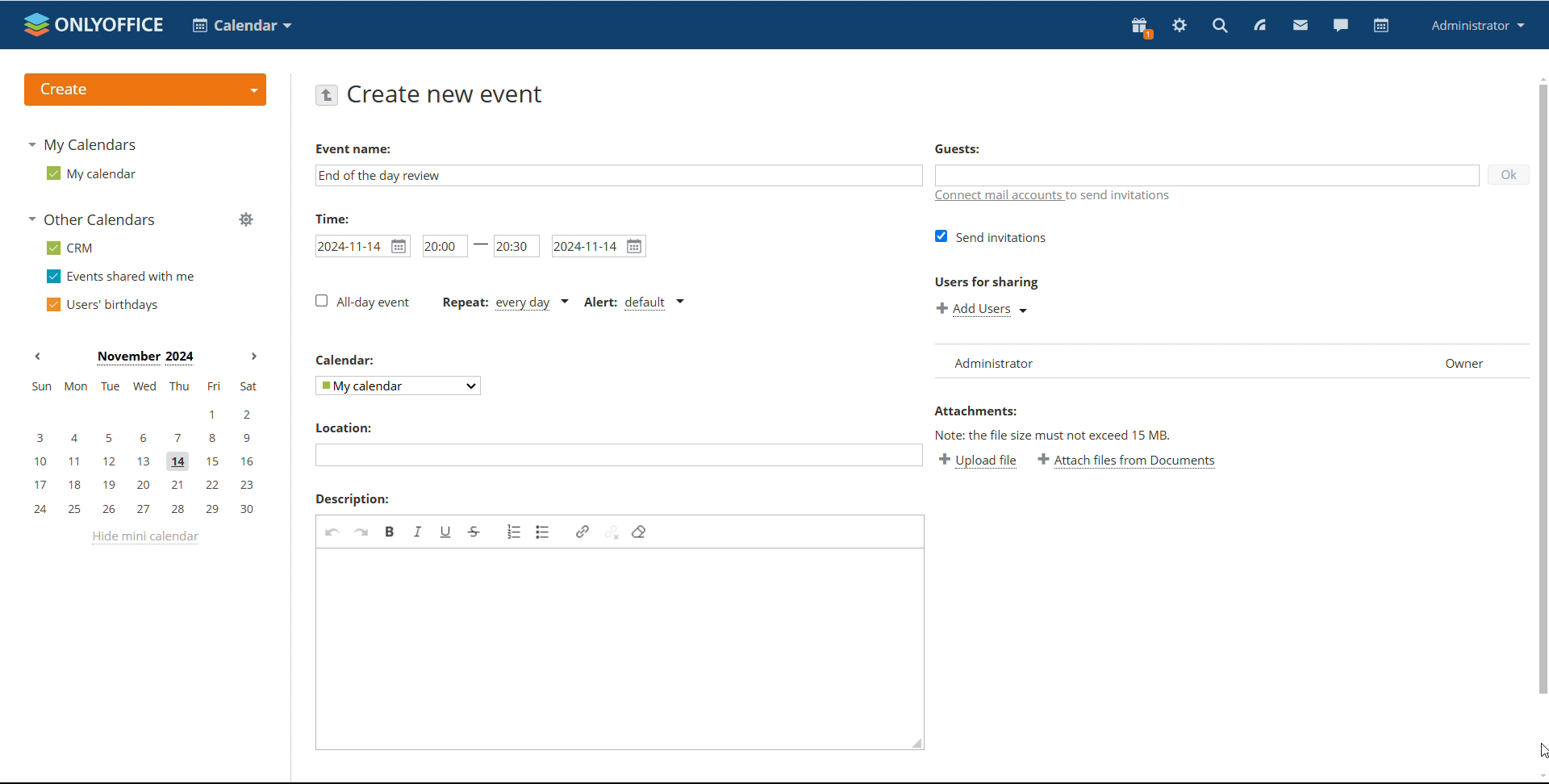 The image size is (1549, 784). I want to click on description, so click(353, 499).